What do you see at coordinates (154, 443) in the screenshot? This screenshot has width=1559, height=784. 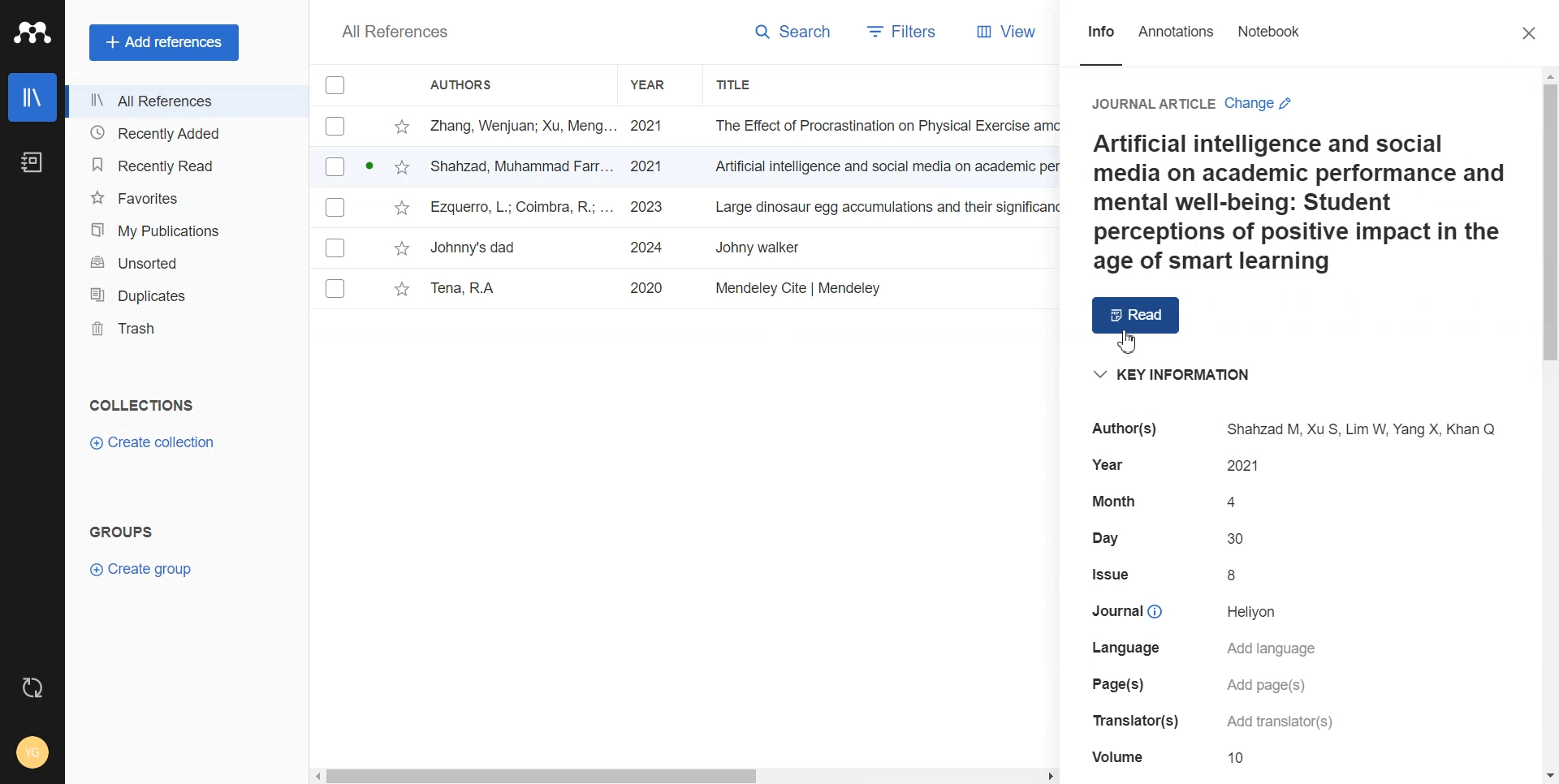 I see `Create Collection` at bounding box center [154, 443].